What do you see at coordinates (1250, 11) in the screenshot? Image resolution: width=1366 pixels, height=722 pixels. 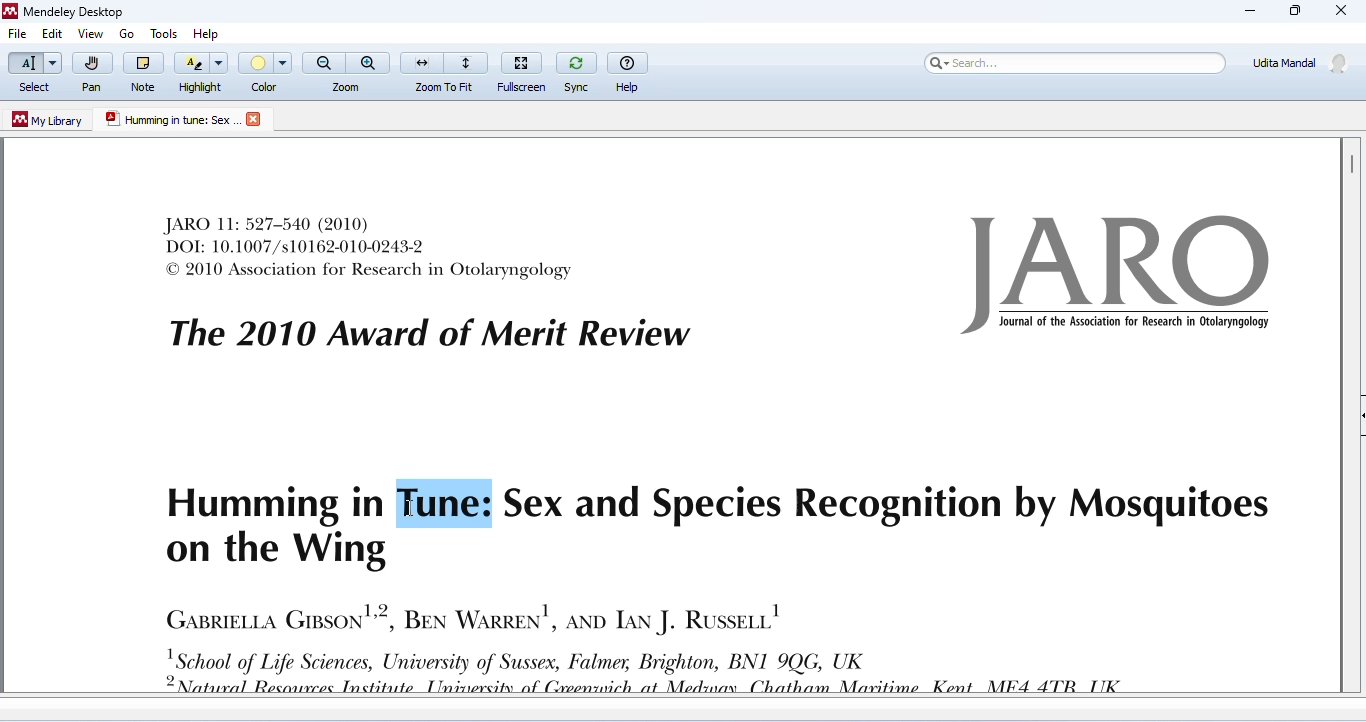 I see `minimize` at bounding box center [1250, 11].